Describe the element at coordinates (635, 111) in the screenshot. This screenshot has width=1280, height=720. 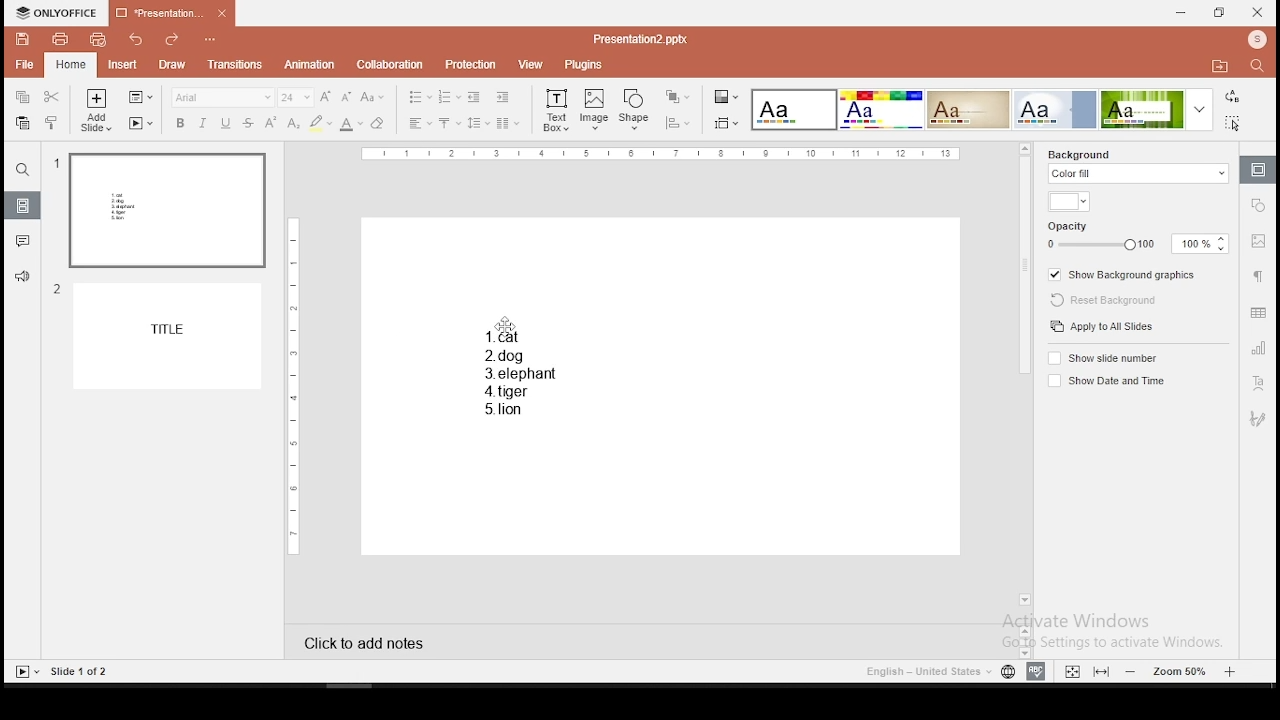
I see `shape` at that location.